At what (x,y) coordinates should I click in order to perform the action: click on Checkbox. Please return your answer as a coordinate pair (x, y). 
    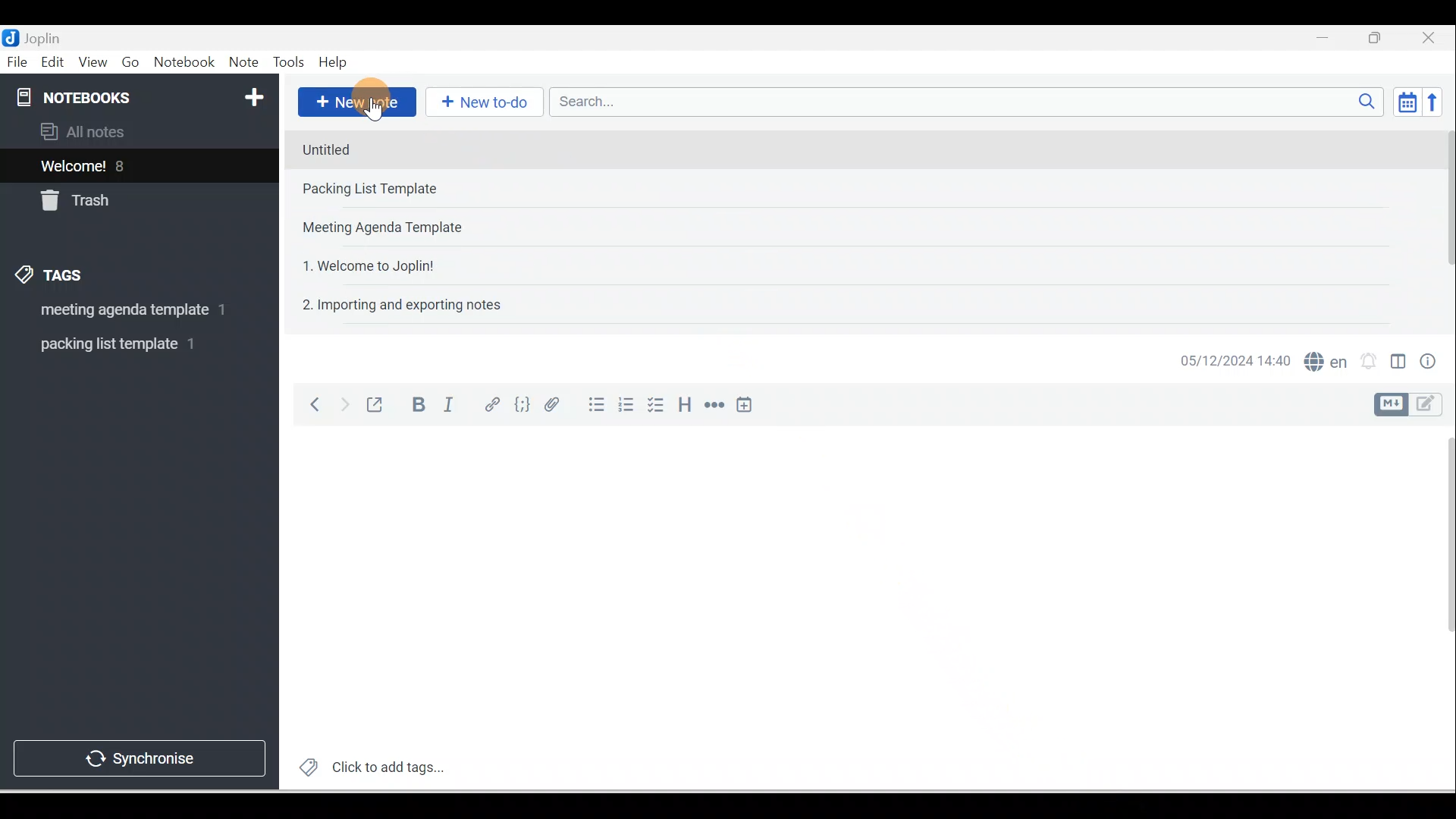
    Looking at the image, I should click on (654, 405).